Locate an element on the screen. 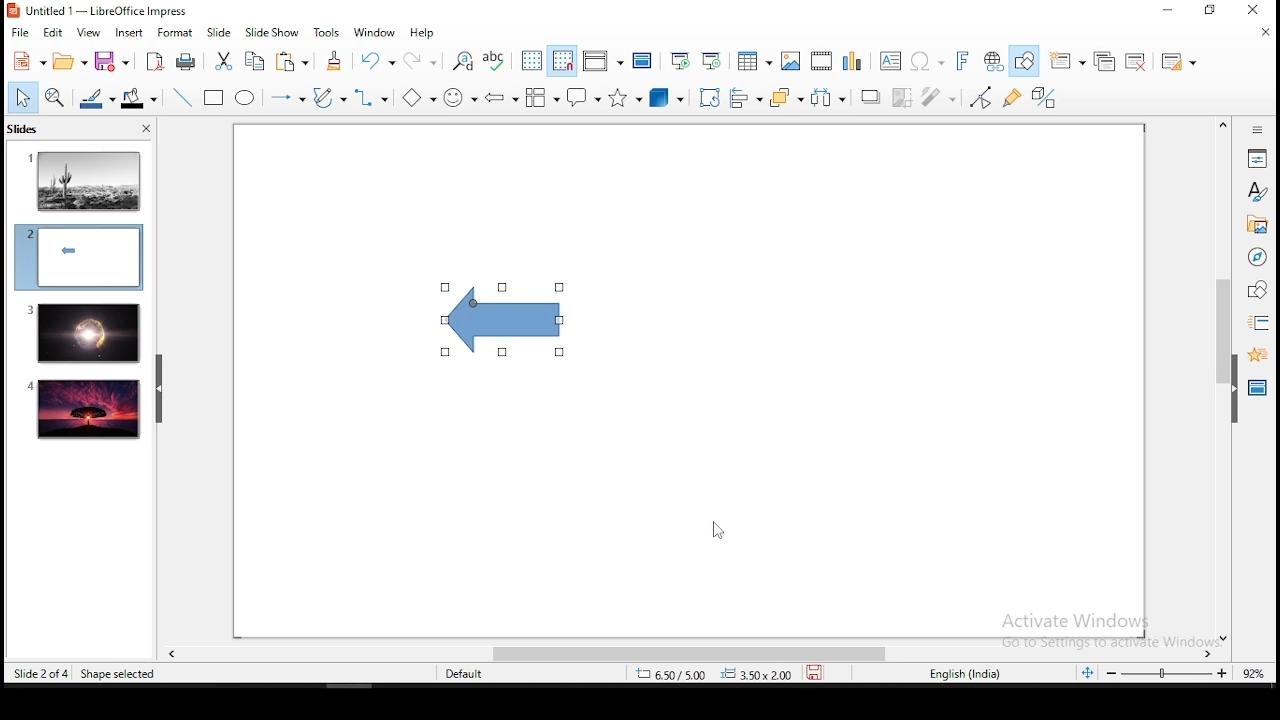 Image resolution: width=1280 pixels, height=720 pixels. connectors is located at coordinates (369, 98).